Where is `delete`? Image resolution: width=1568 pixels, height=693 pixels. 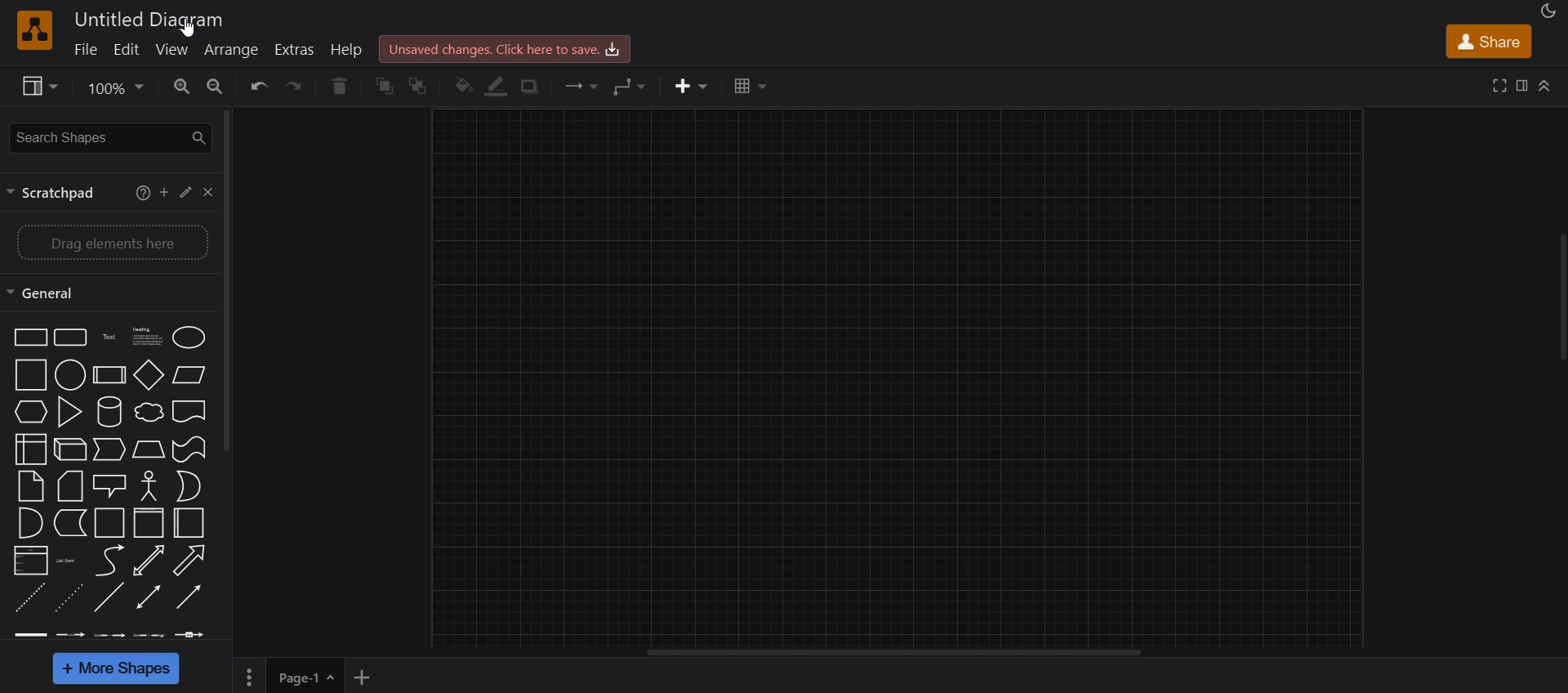 delete is located at coordinates (345, 87).